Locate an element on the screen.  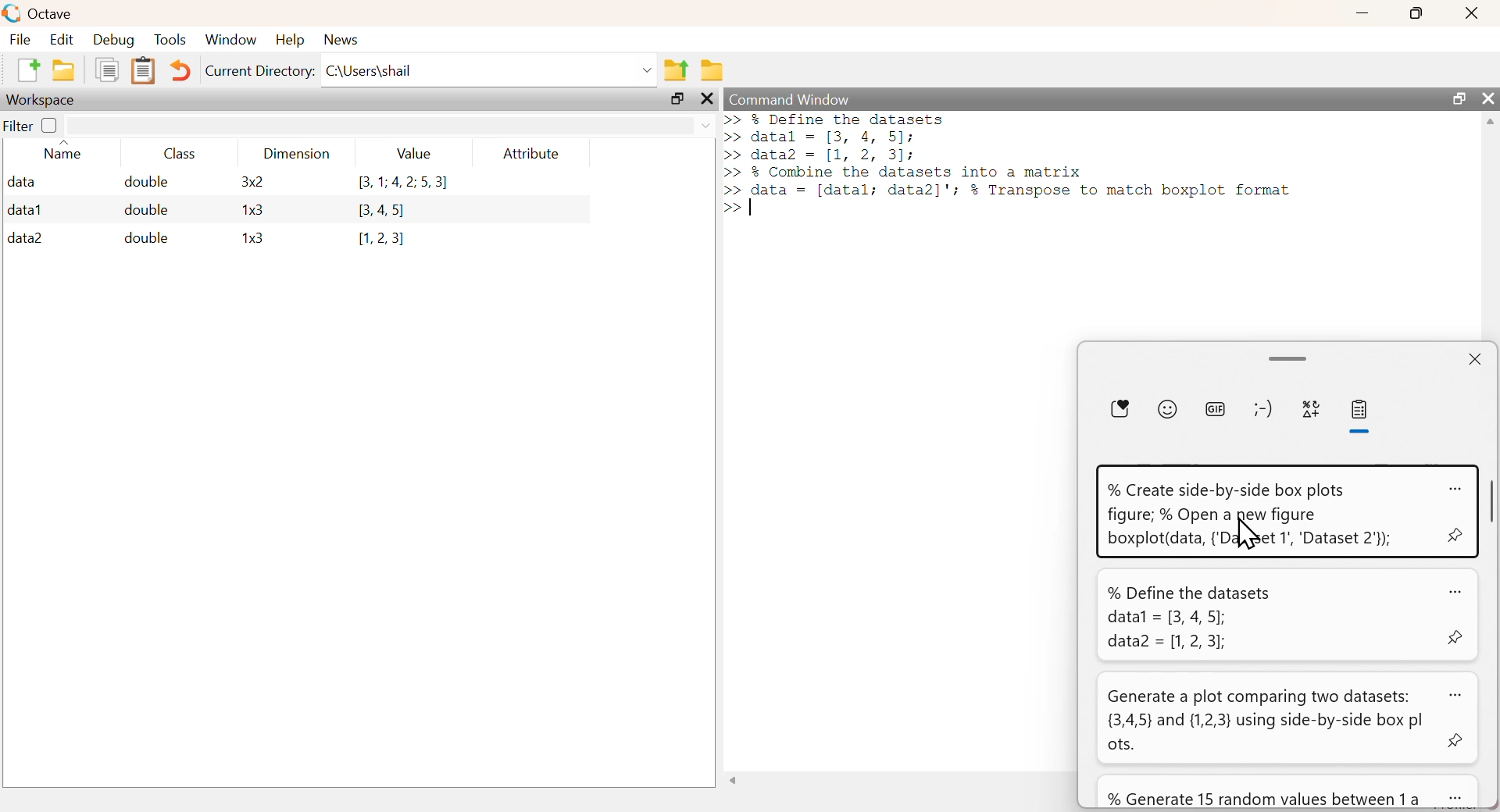
Window is located at coordinates (230, 40).